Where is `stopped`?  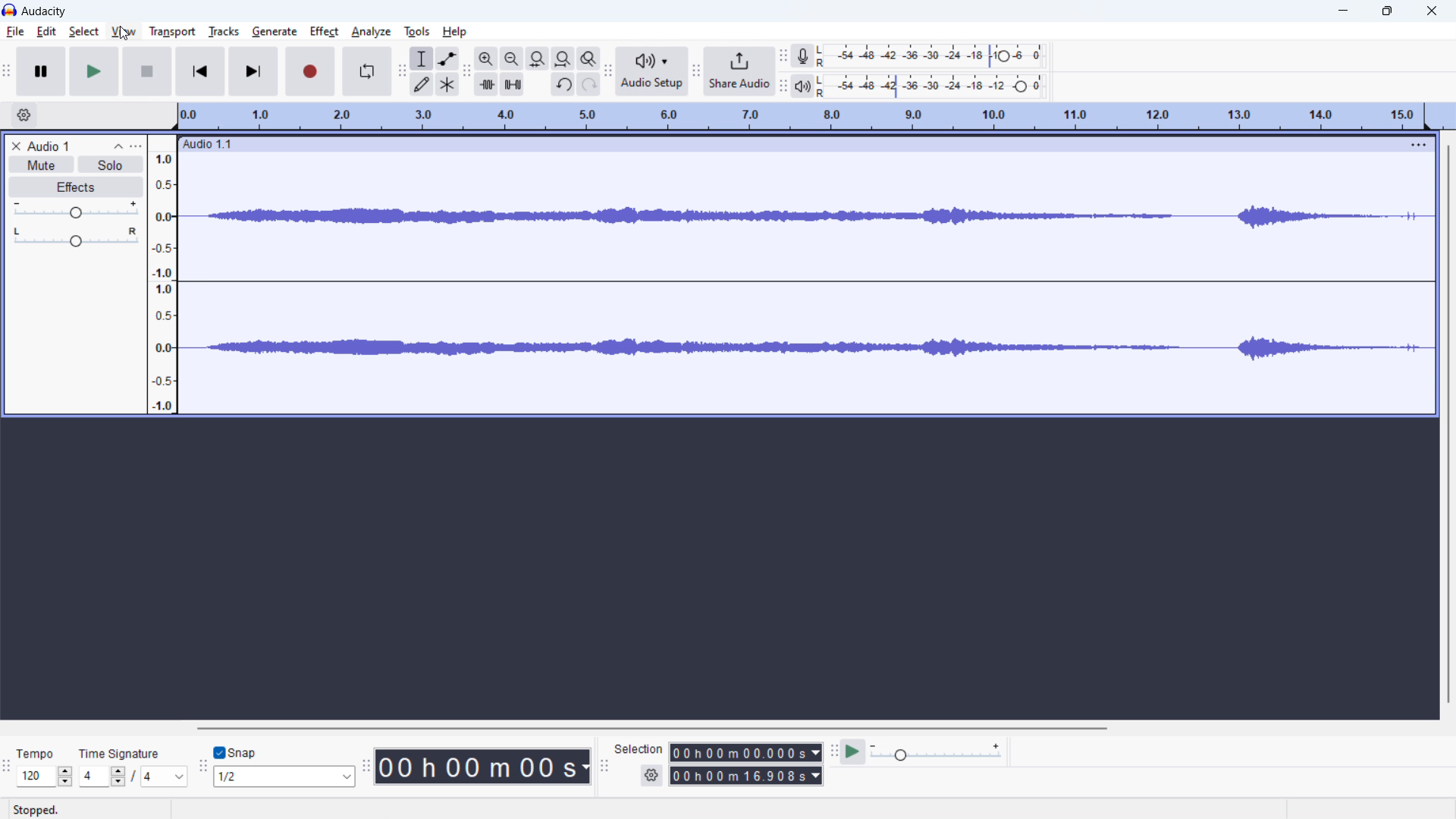
stopped is located at coordinates (42, 805).